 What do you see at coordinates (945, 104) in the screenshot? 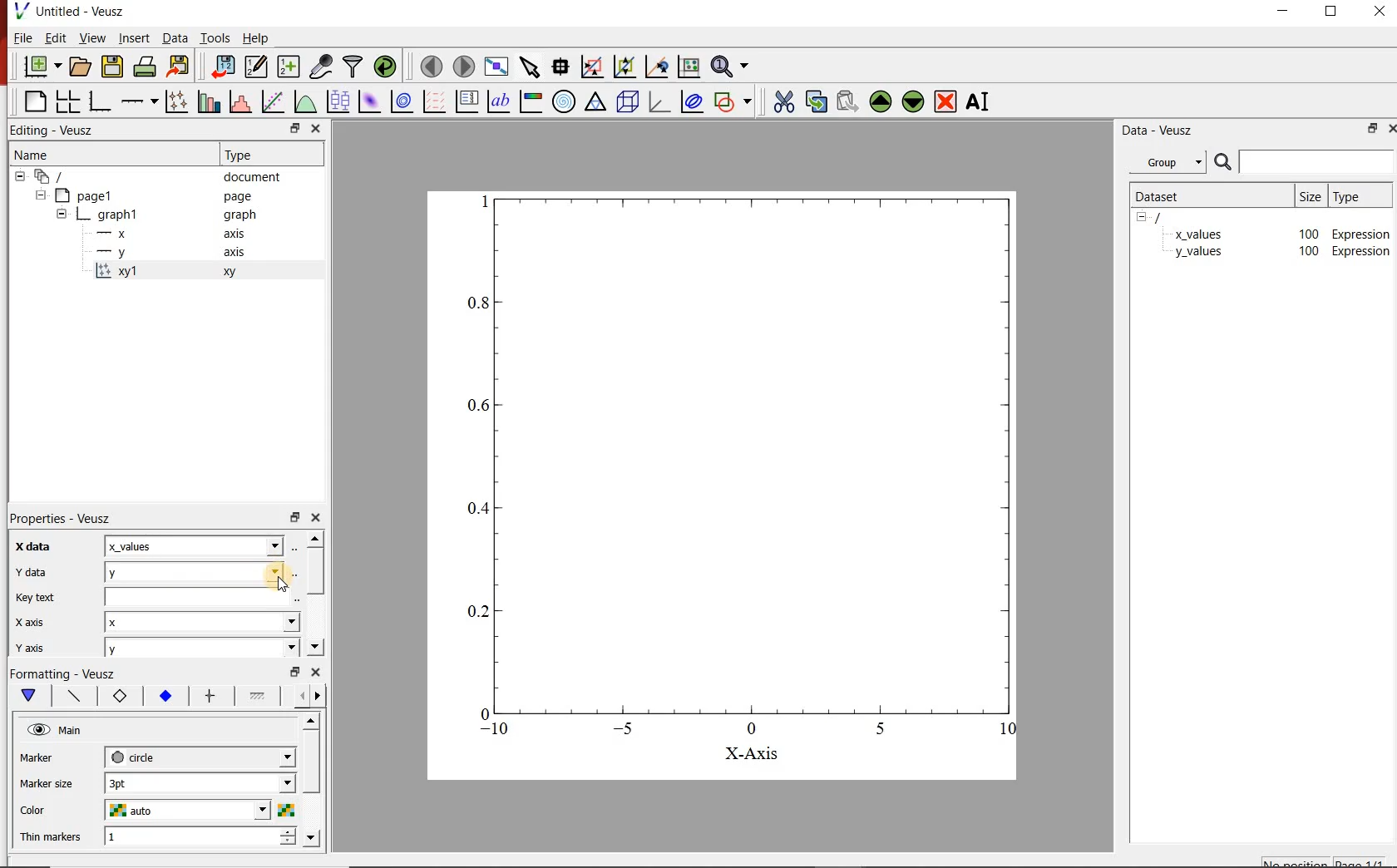
I see `remove the selected widget` at bounding box center [945, 104].